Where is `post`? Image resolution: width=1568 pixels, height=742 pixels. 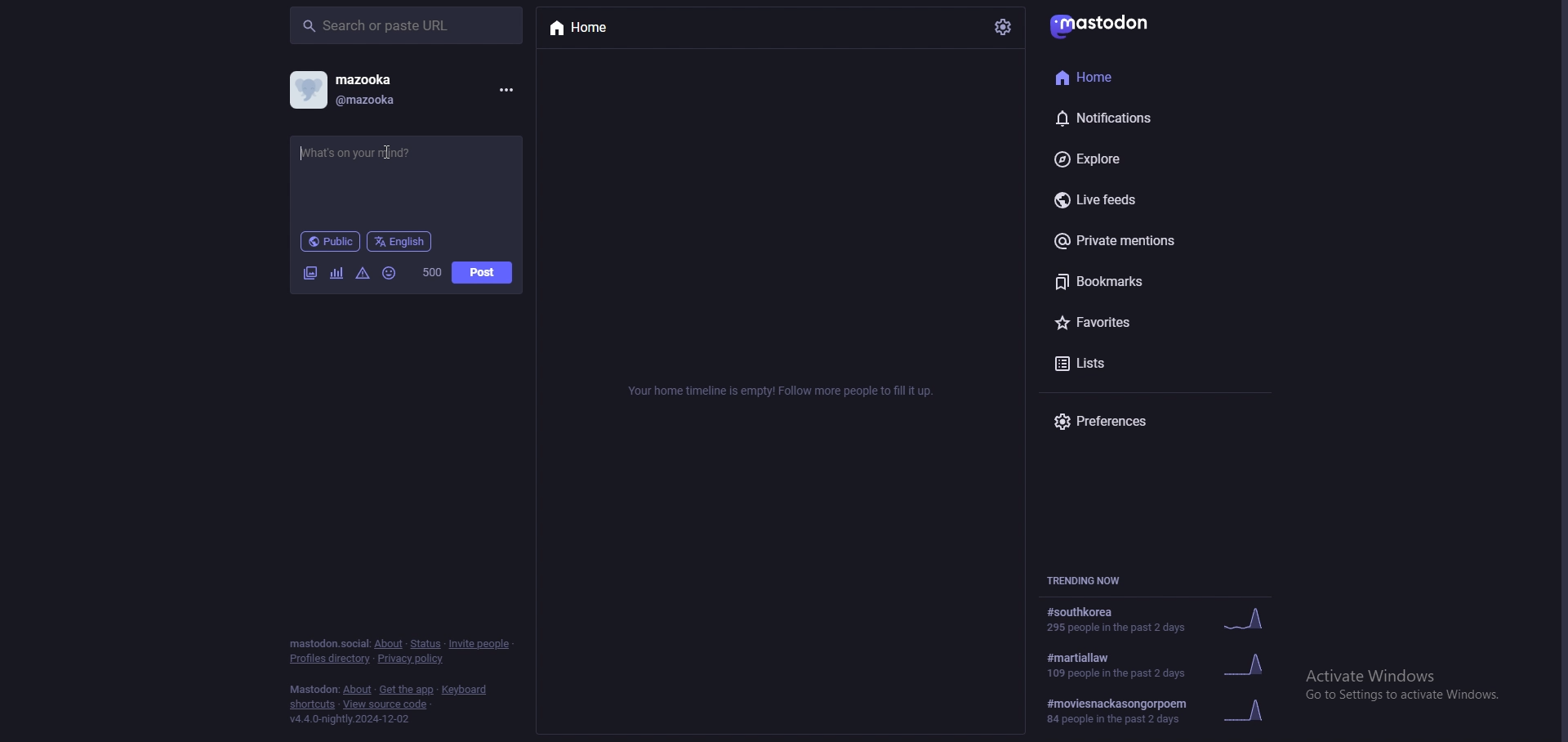
post is located at coordinates (481, 273).